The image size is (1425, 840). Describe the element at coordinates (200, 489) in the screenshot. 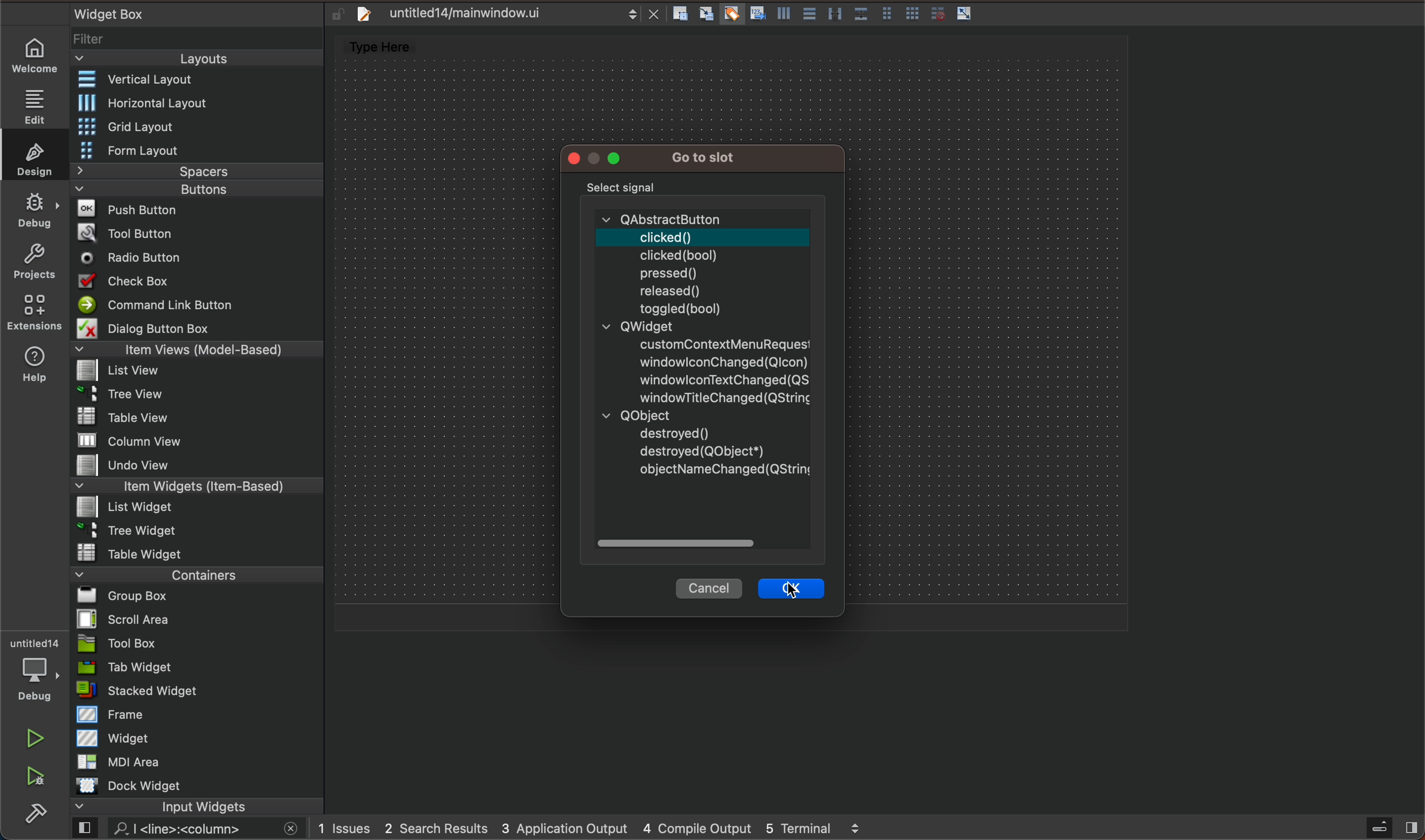

I see `item widget` at that location.